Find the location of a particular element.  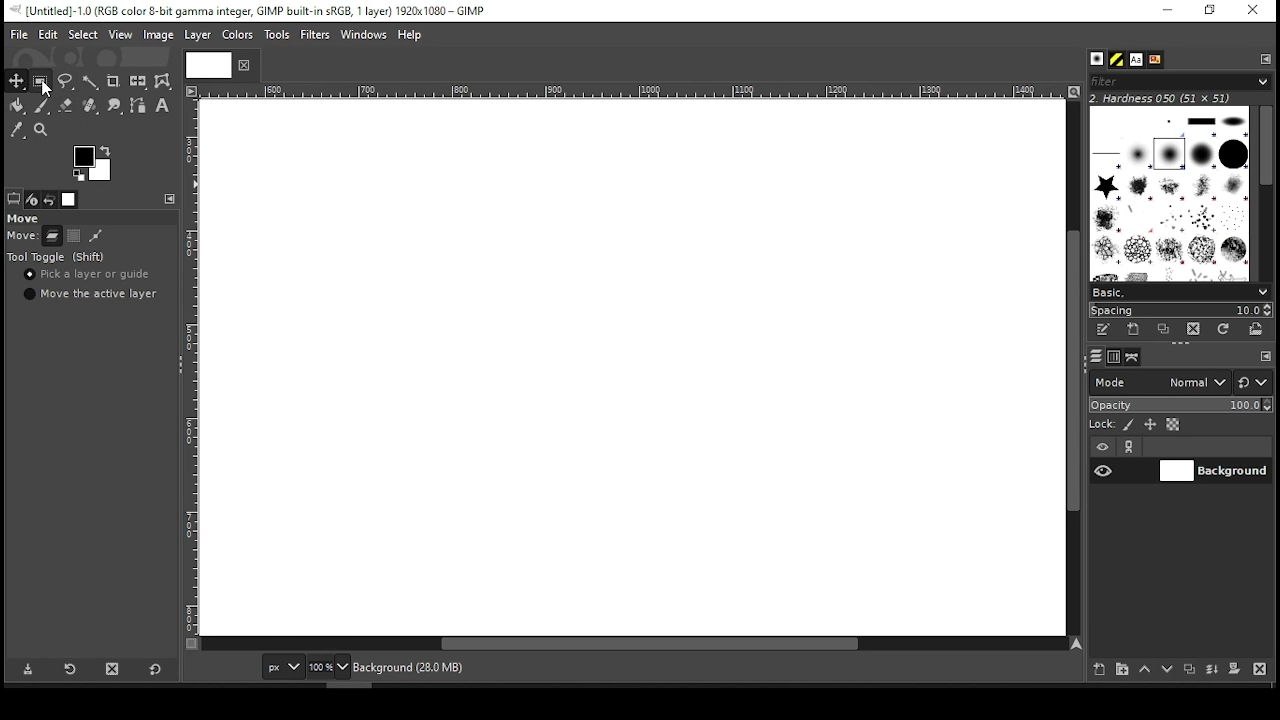

zoom level is located at coordinates (328, 669).